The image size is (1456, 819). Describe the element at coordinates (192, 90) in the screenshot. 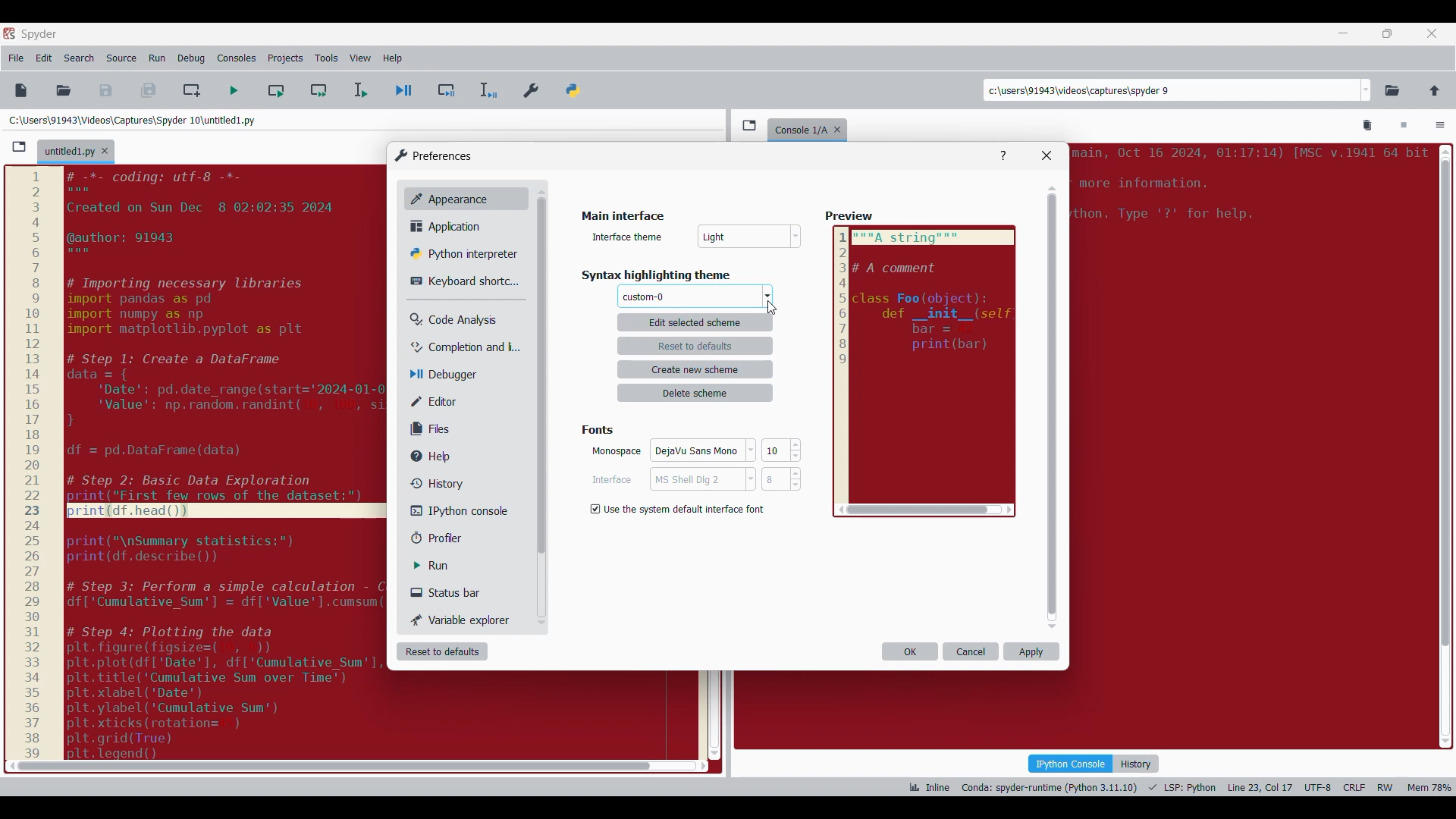

I see `Create new cell at current line` at that location.